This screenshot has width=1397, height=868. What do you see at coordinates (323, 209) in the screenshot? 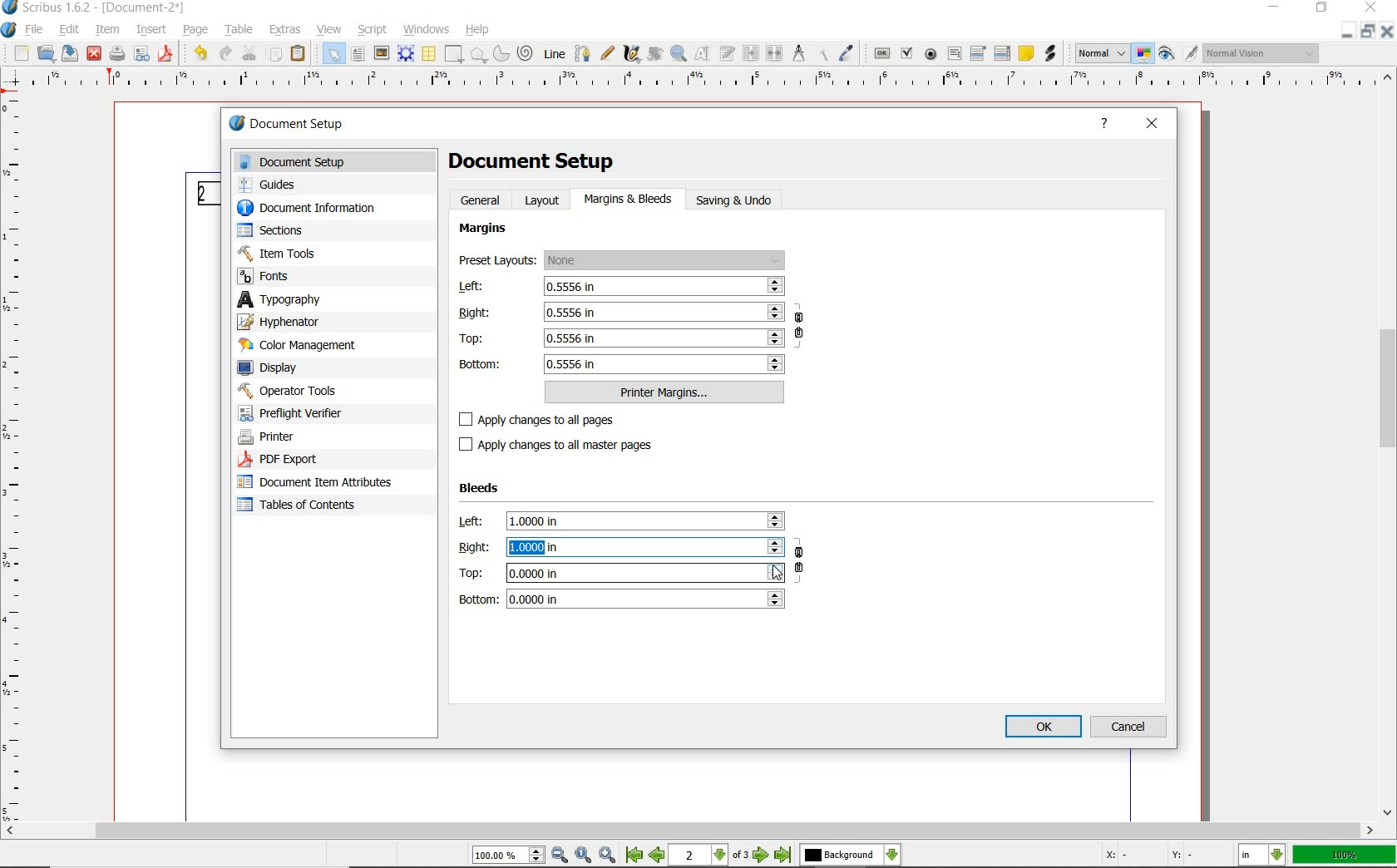
I see `document information` at bounding box center [323, 209].